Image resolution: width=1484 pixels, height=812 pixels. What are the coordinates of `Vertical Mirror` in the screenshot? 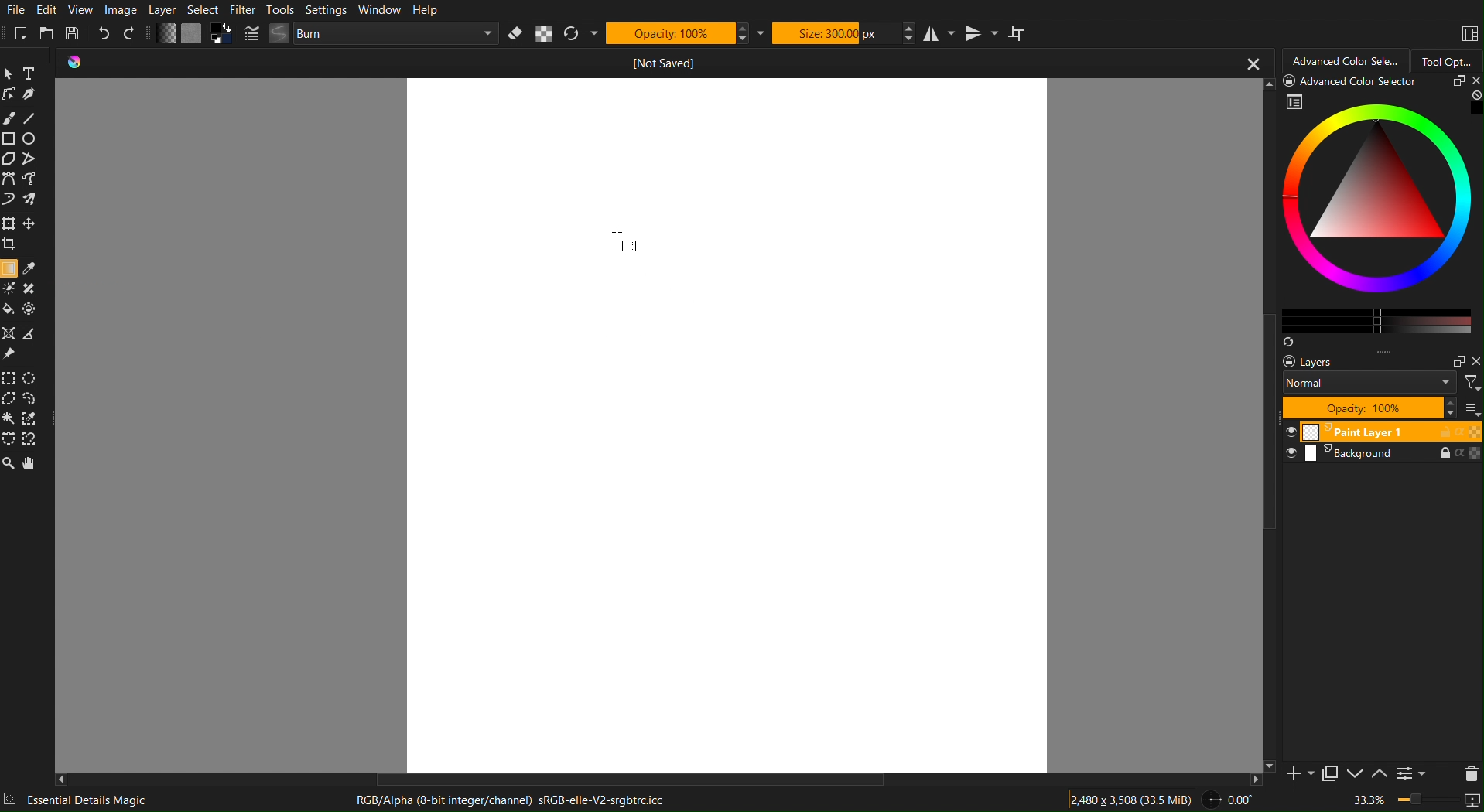 It's located at (980, 32).